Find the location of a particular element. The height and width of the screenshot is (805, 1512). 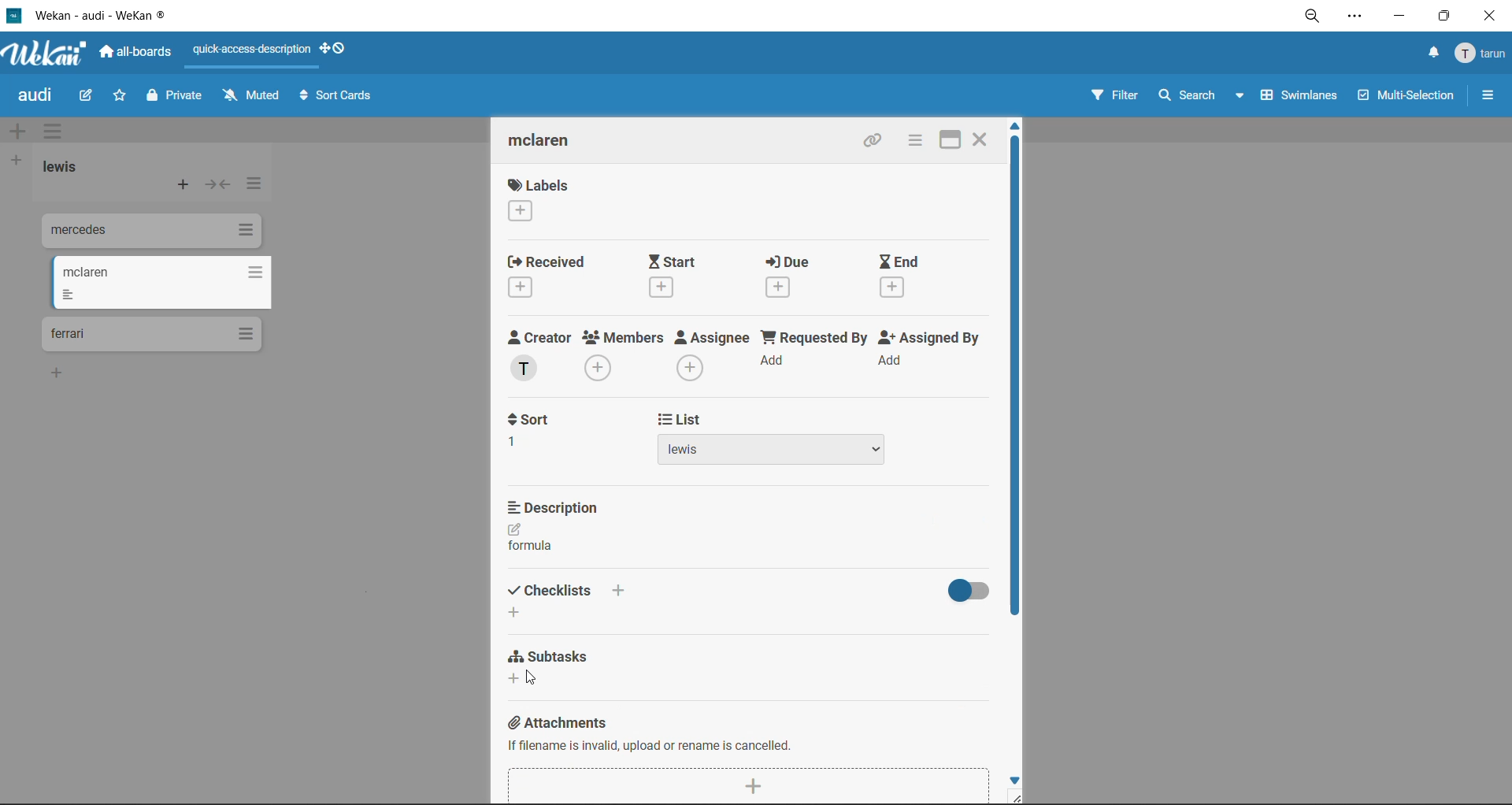

private is located at coordinates (177, 98).